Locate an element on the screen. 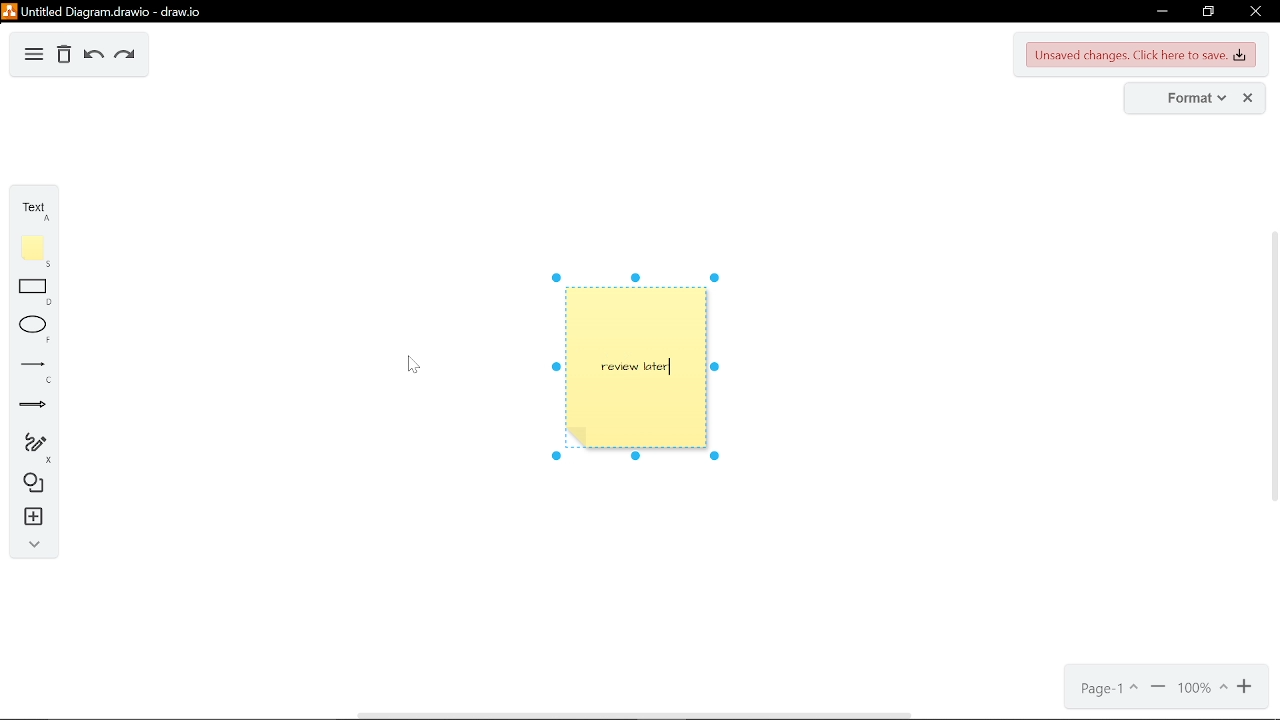 Image resolution: width=1280 pixels, height=720 pixels. note is located at coordinates (34, 251).